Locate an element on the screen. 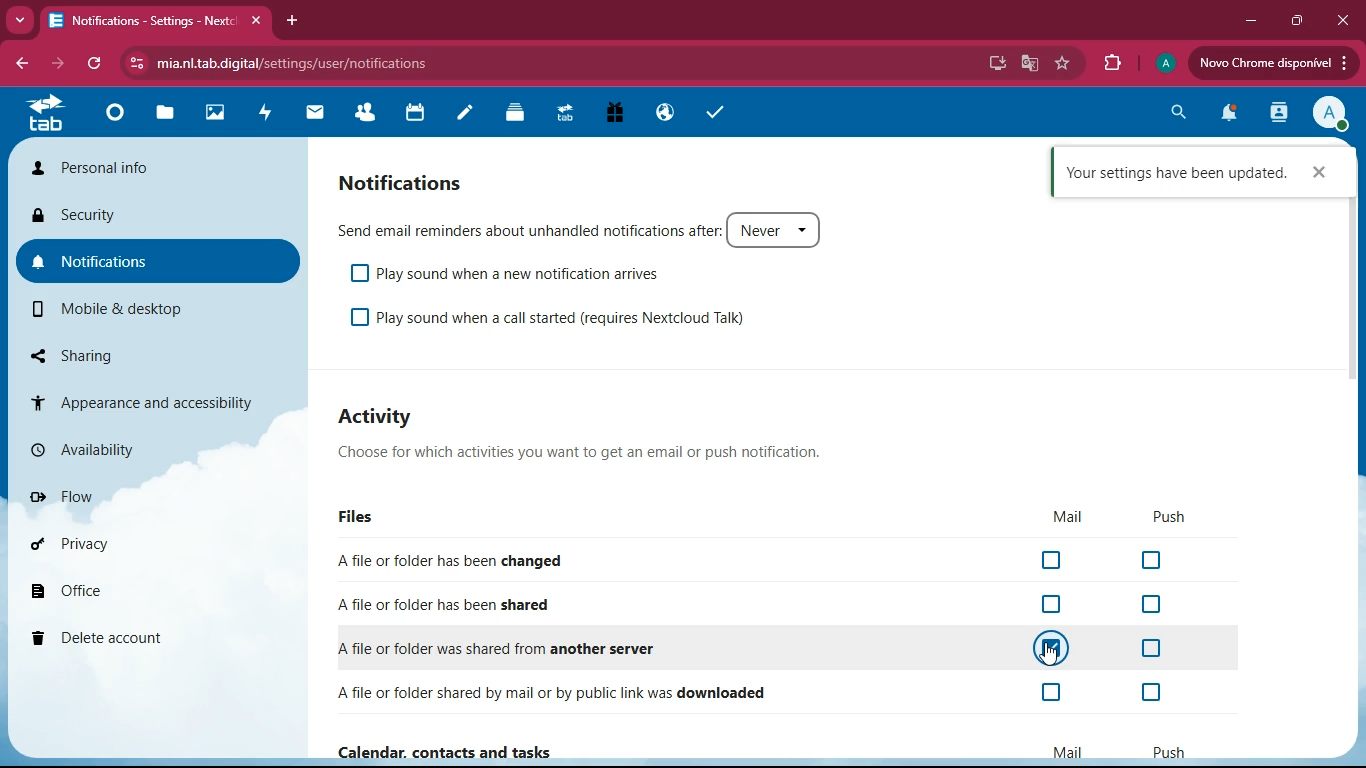 The width and height of the screenshot is (1366, 768). notes is located at coordinates (458, 115).